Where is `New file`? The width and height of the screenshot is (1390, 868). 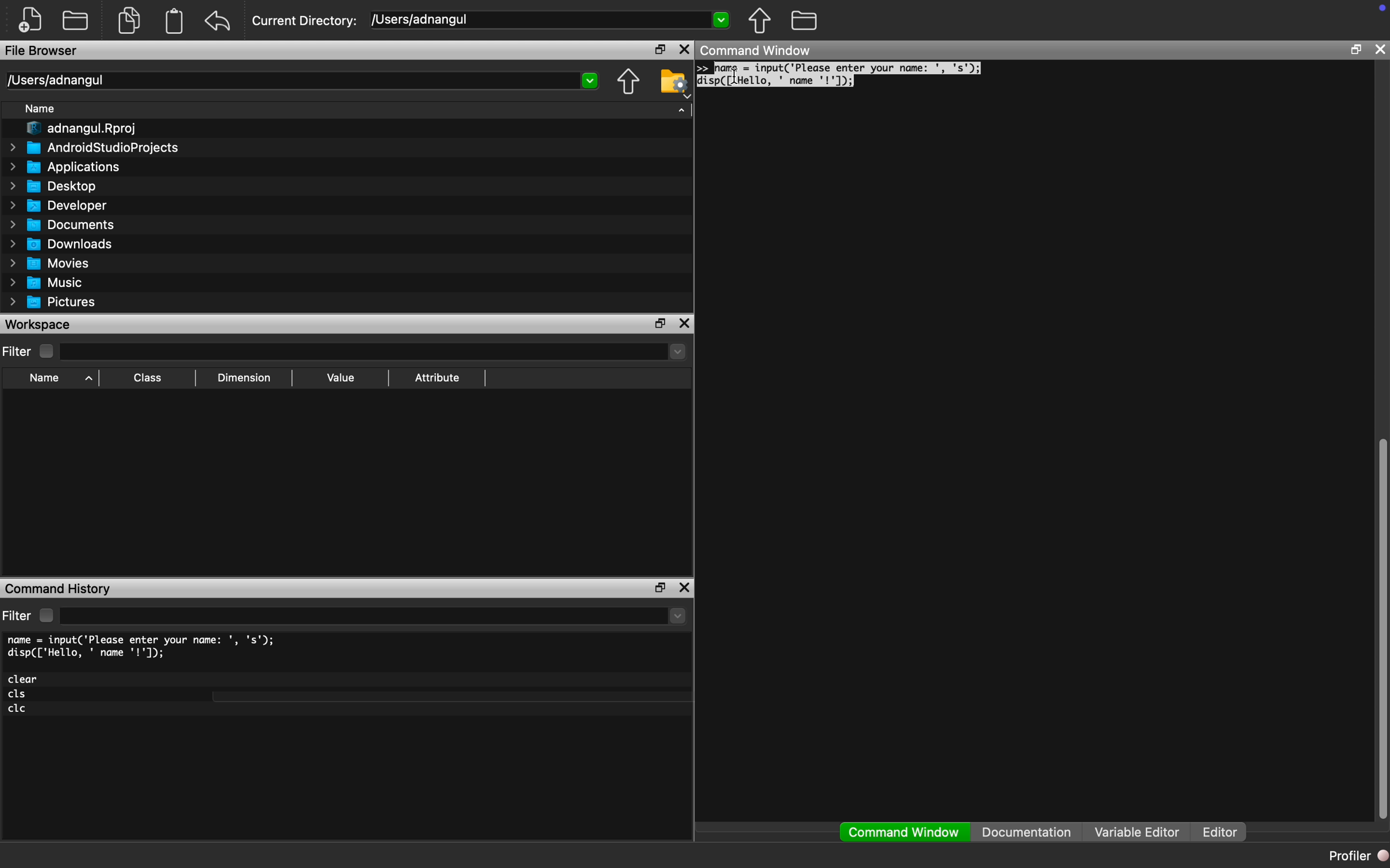 New file is located at coordinates (30, 20).